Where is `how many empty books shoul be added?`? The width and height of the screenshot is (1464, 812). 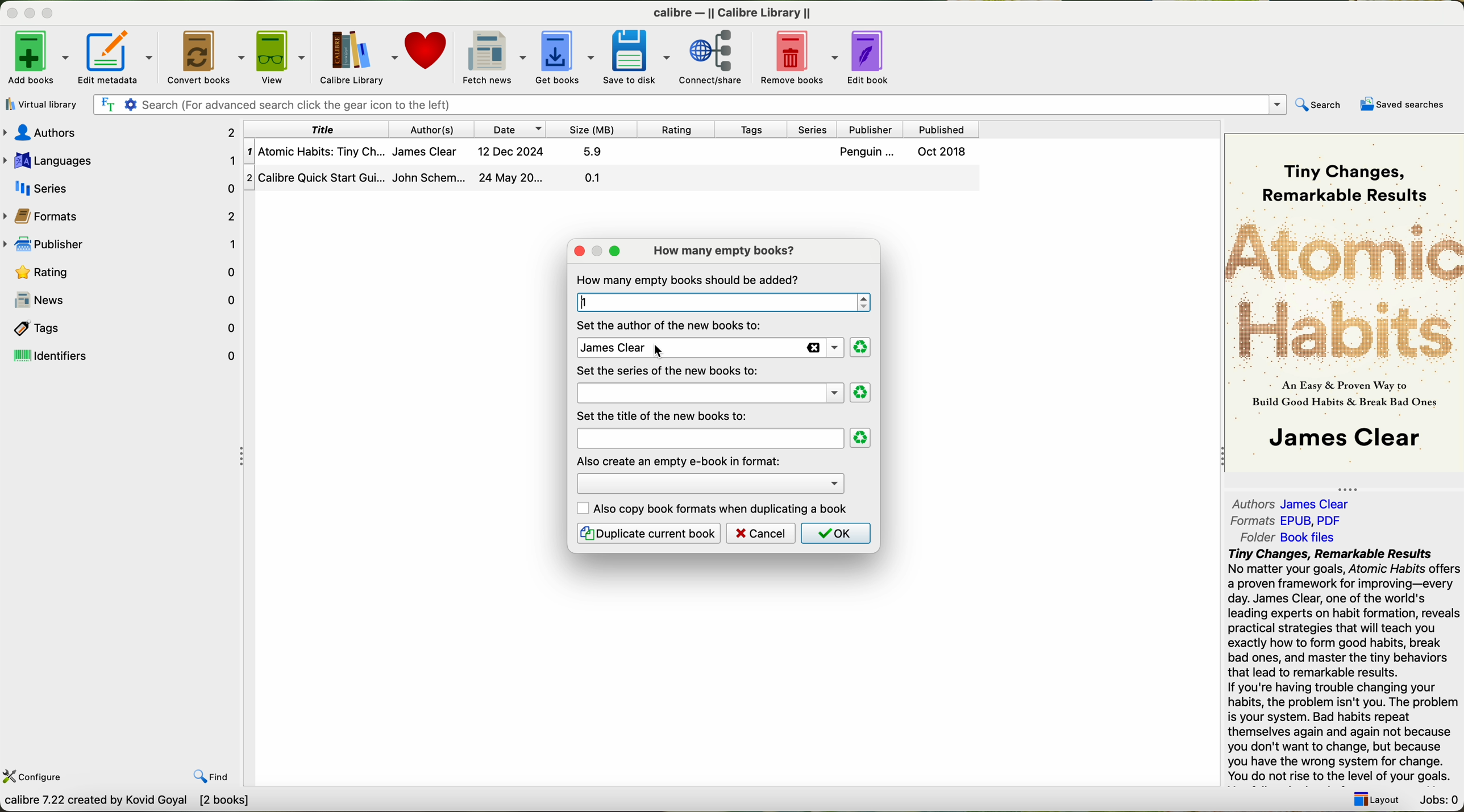
how many empty books shoul be added? is located at coordinates (690, 280).